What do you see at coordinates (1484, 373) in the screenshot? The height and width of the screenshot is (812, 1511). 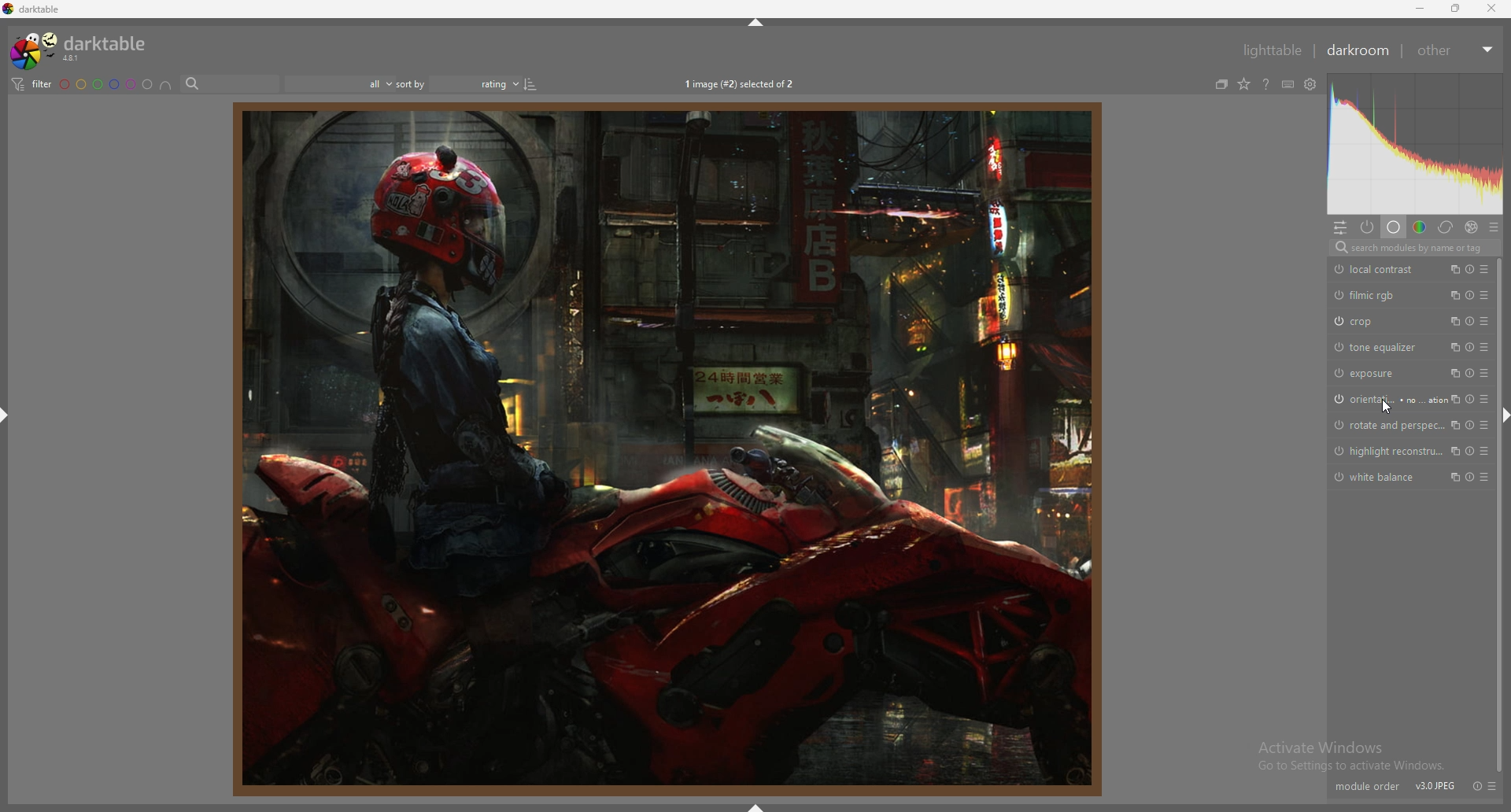 I see `presets` at bounding box center [1484, 373].